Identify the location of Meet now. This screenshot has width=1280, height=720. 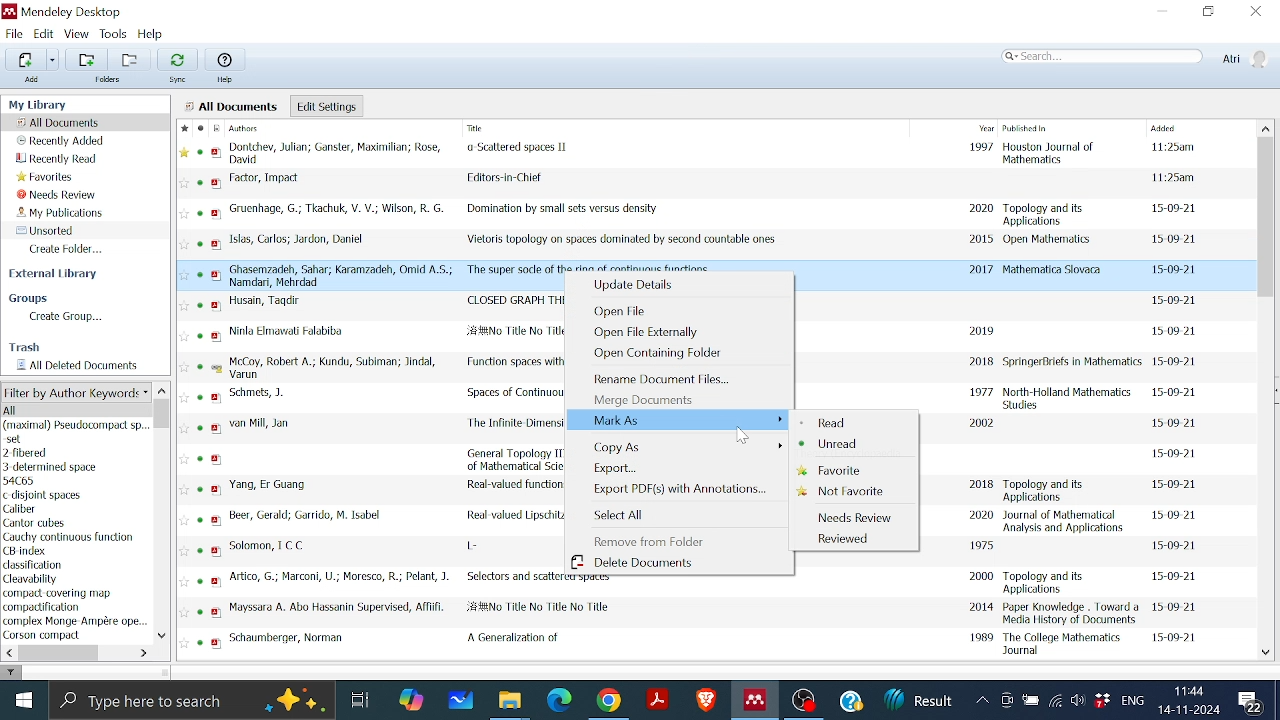
(1007, 701).